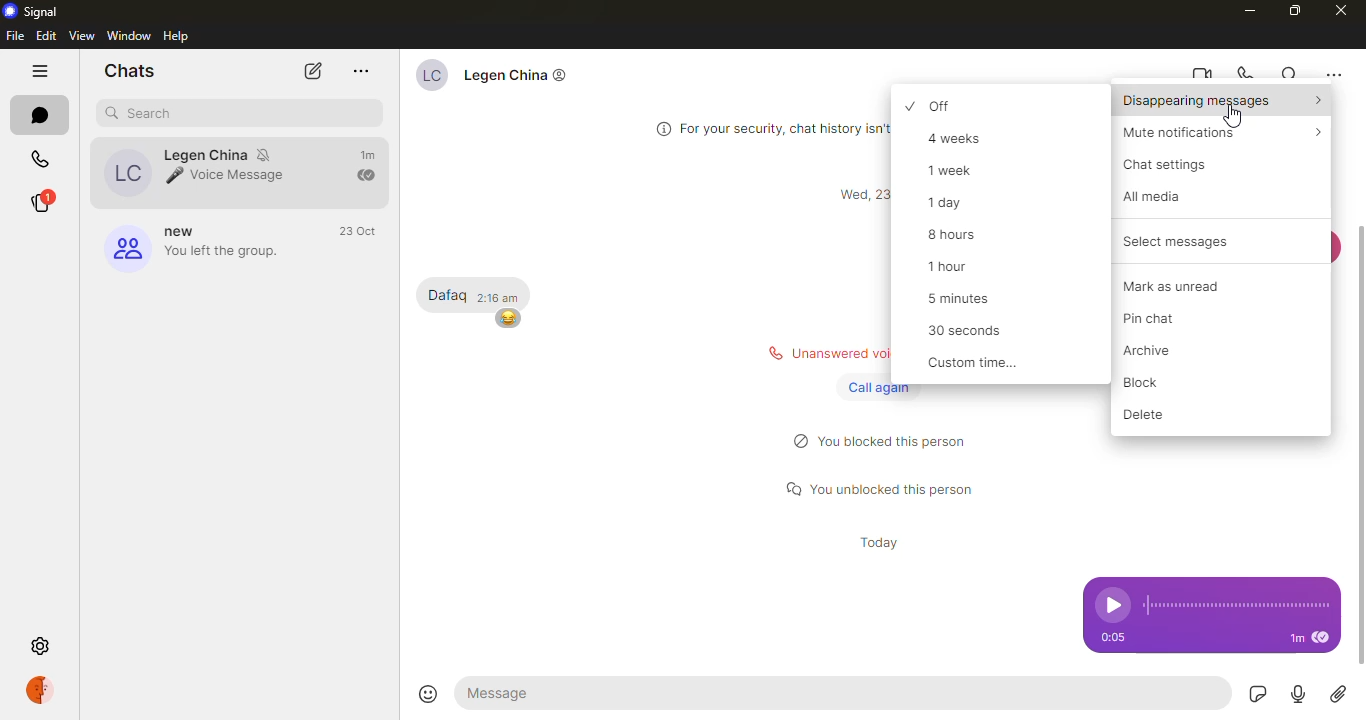 The width and height of the screenshot is (1366, 720). I want to click on pin chat, so click(1164, 318).